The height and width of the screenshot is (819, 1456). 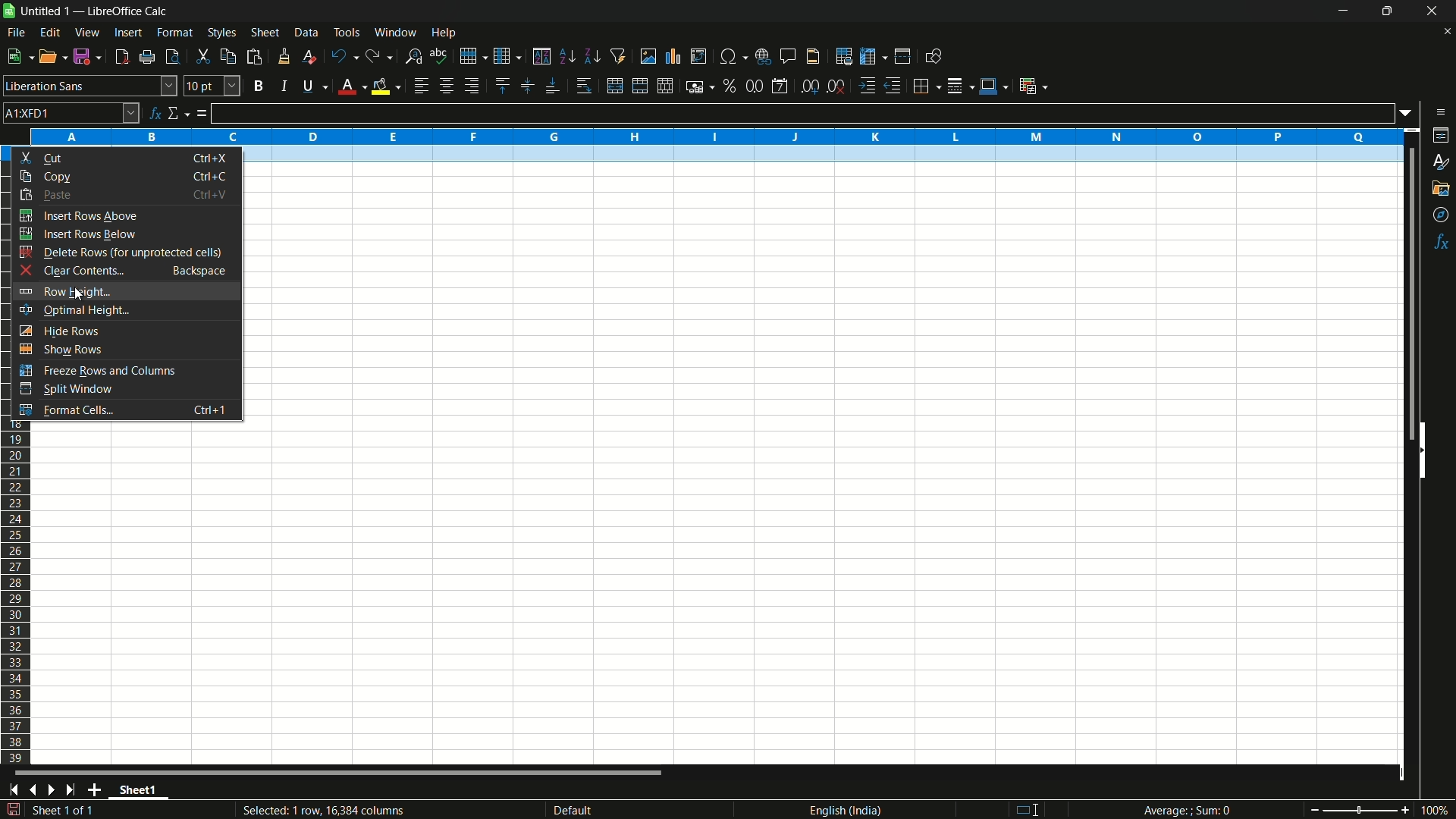 What do you see at coordinates (638, 86) in the screenshot?
I see `merge and center` at bounding box center [638, 86].